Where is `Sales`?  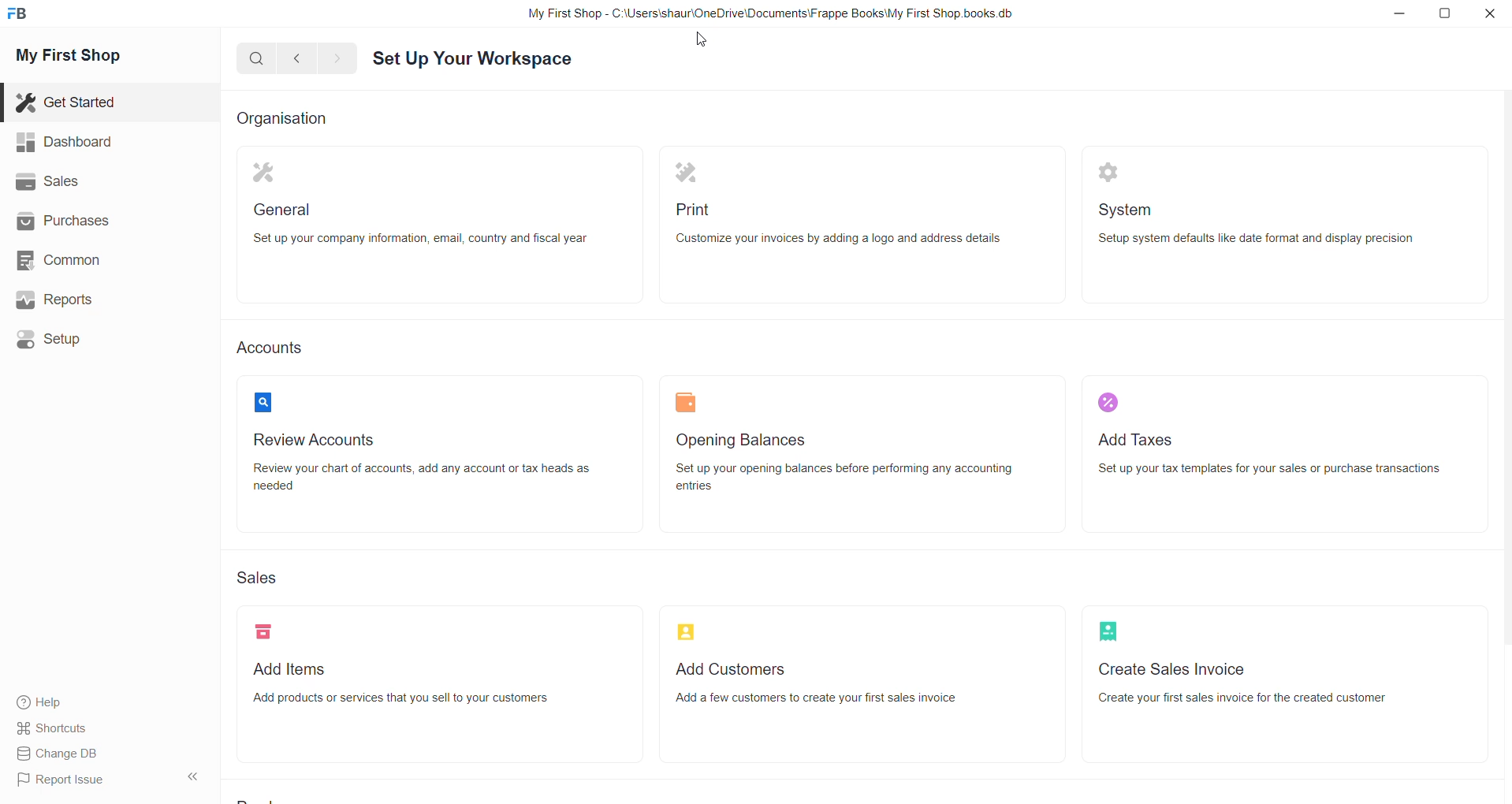 Sales is located at coordinates (50, 181).